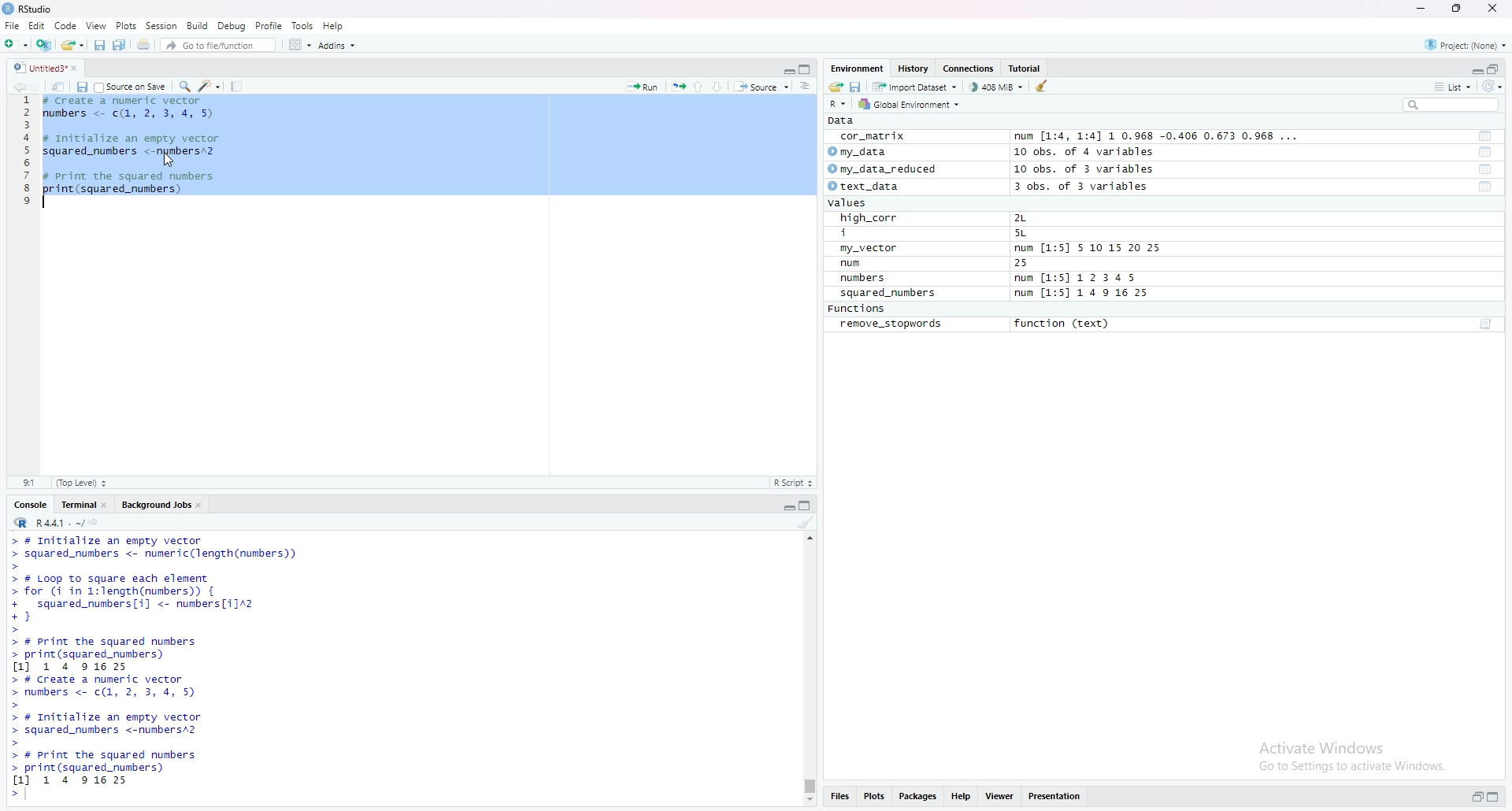  What do you see at coordinates (298, 44) in the screenshot?
I see `Workspace panes` at bounding box center [298, 44].